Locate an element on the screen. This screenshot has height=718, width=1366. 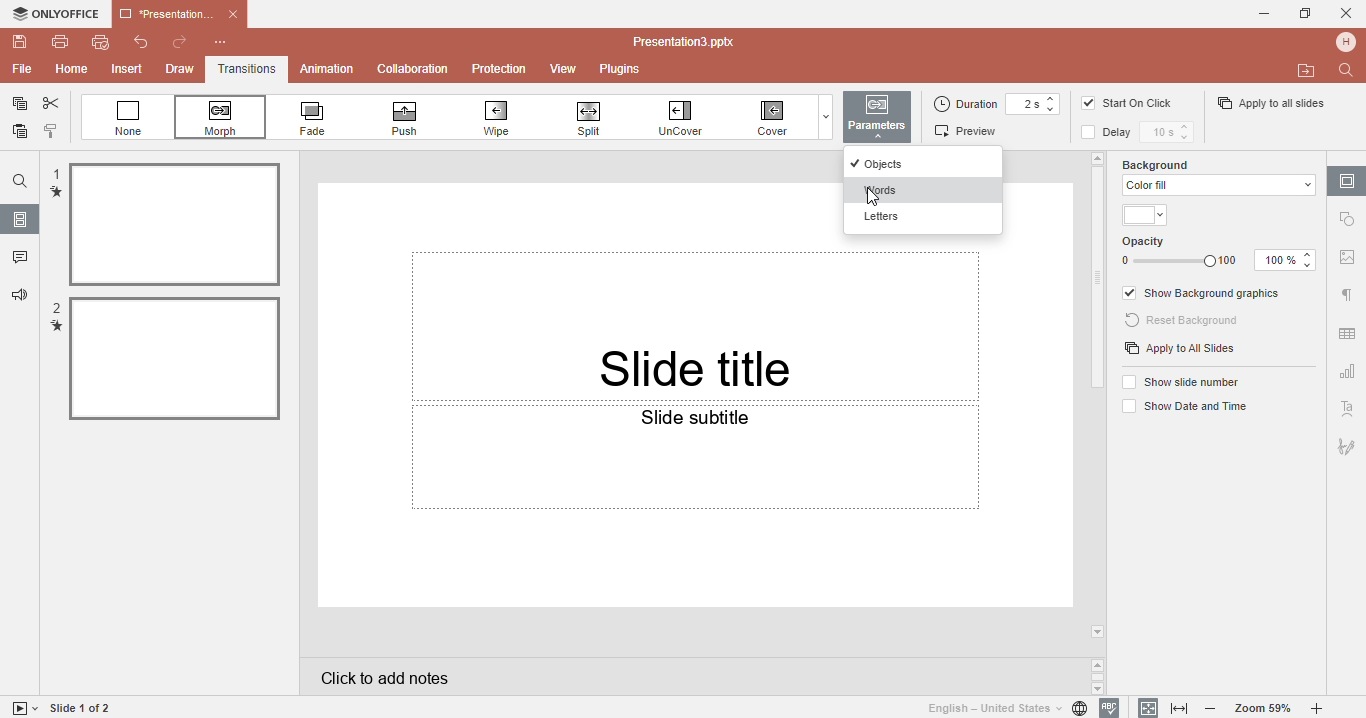
Only office is located at coordinates (54, 14).